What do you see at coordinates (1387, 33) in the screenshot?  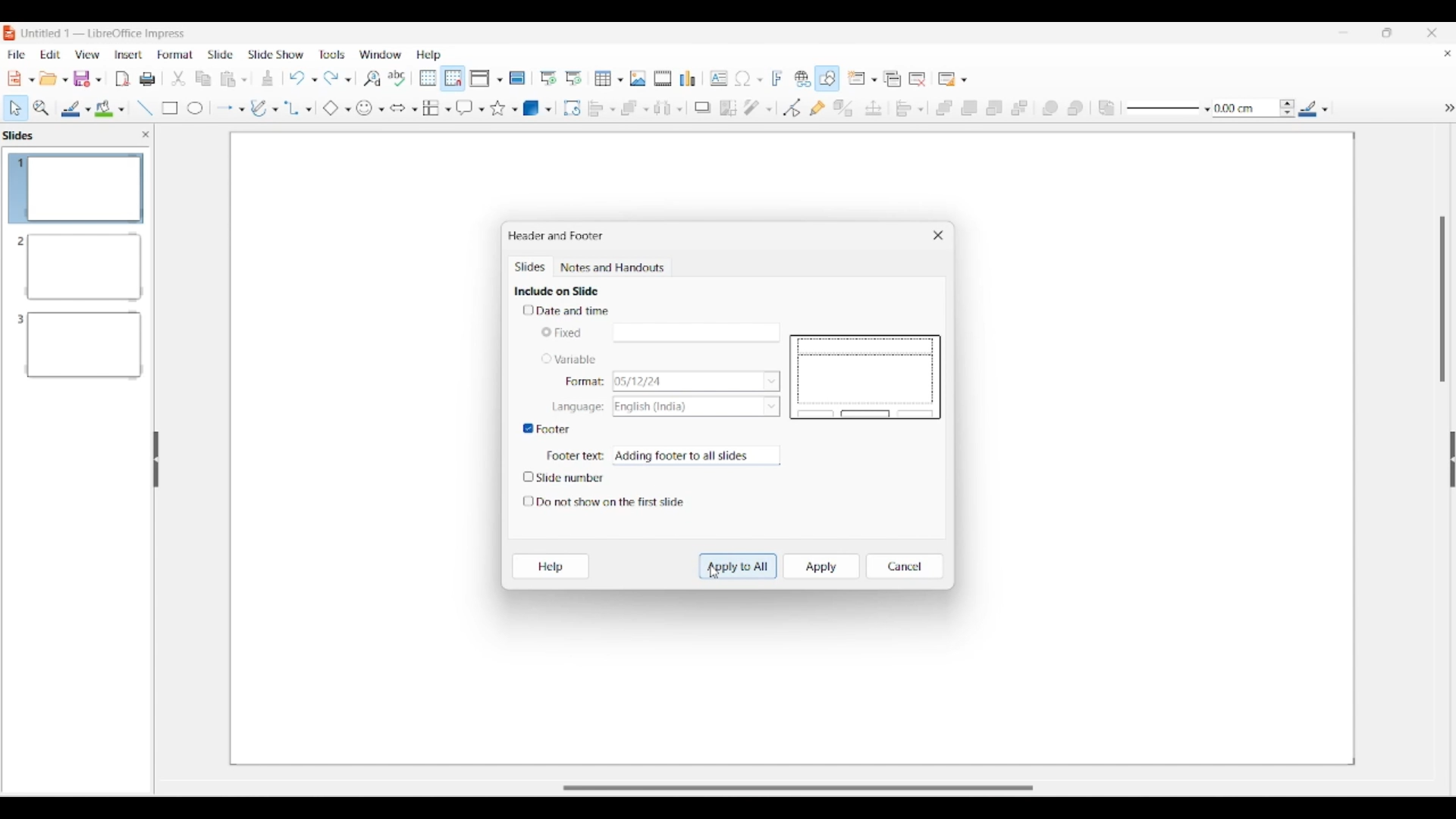 I see `Show in smaller tab` at bounding box center [1387, 33].